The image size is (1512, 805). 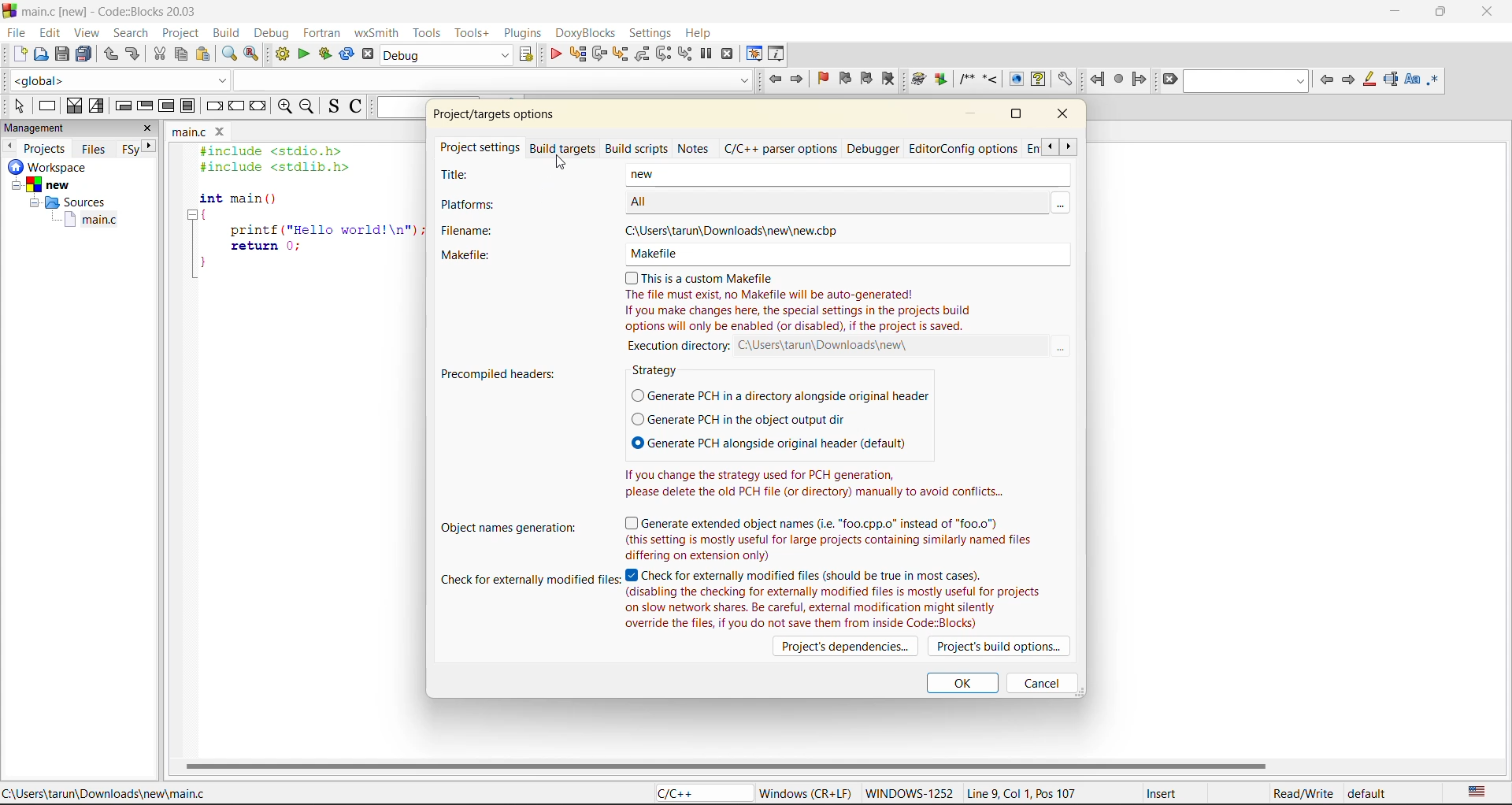 What do you see at coordinates (228, 53) in the screenshot?
I see `find` at bounding box center [228, 53].